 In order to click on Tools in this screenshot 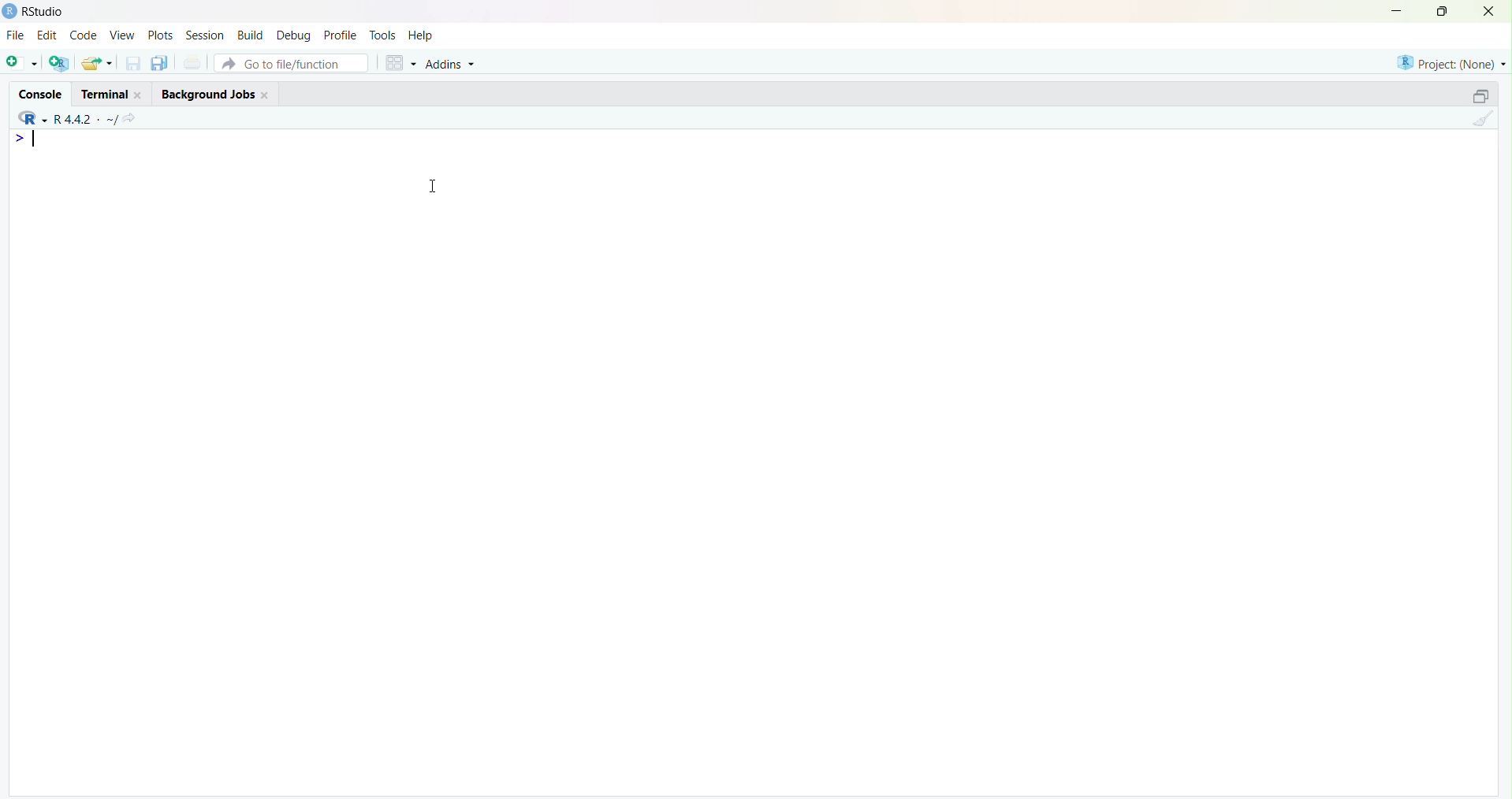, I will do `click(382, 34)`.